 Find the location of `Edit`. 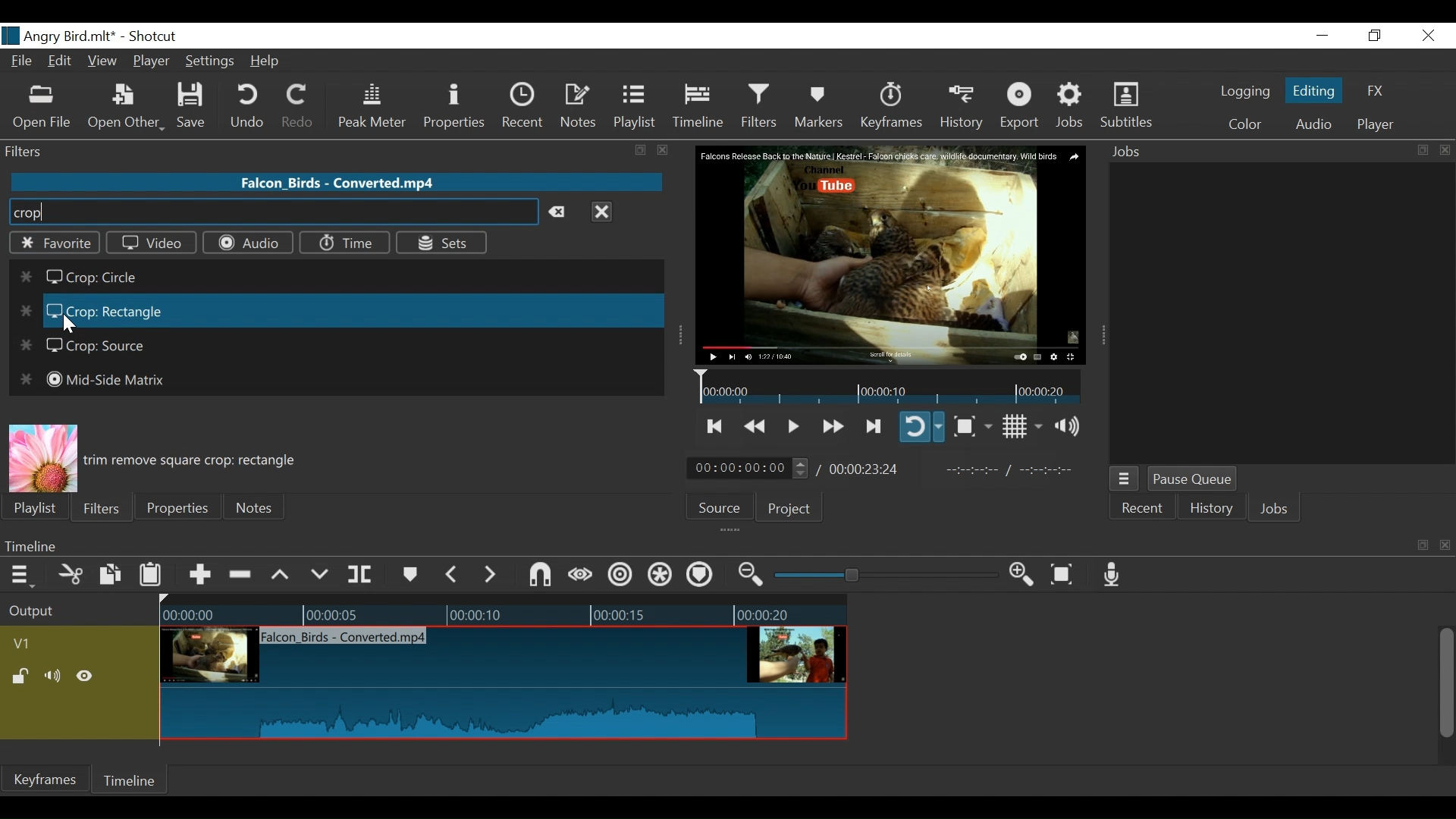

Edit is located at coordinates (62, 62).